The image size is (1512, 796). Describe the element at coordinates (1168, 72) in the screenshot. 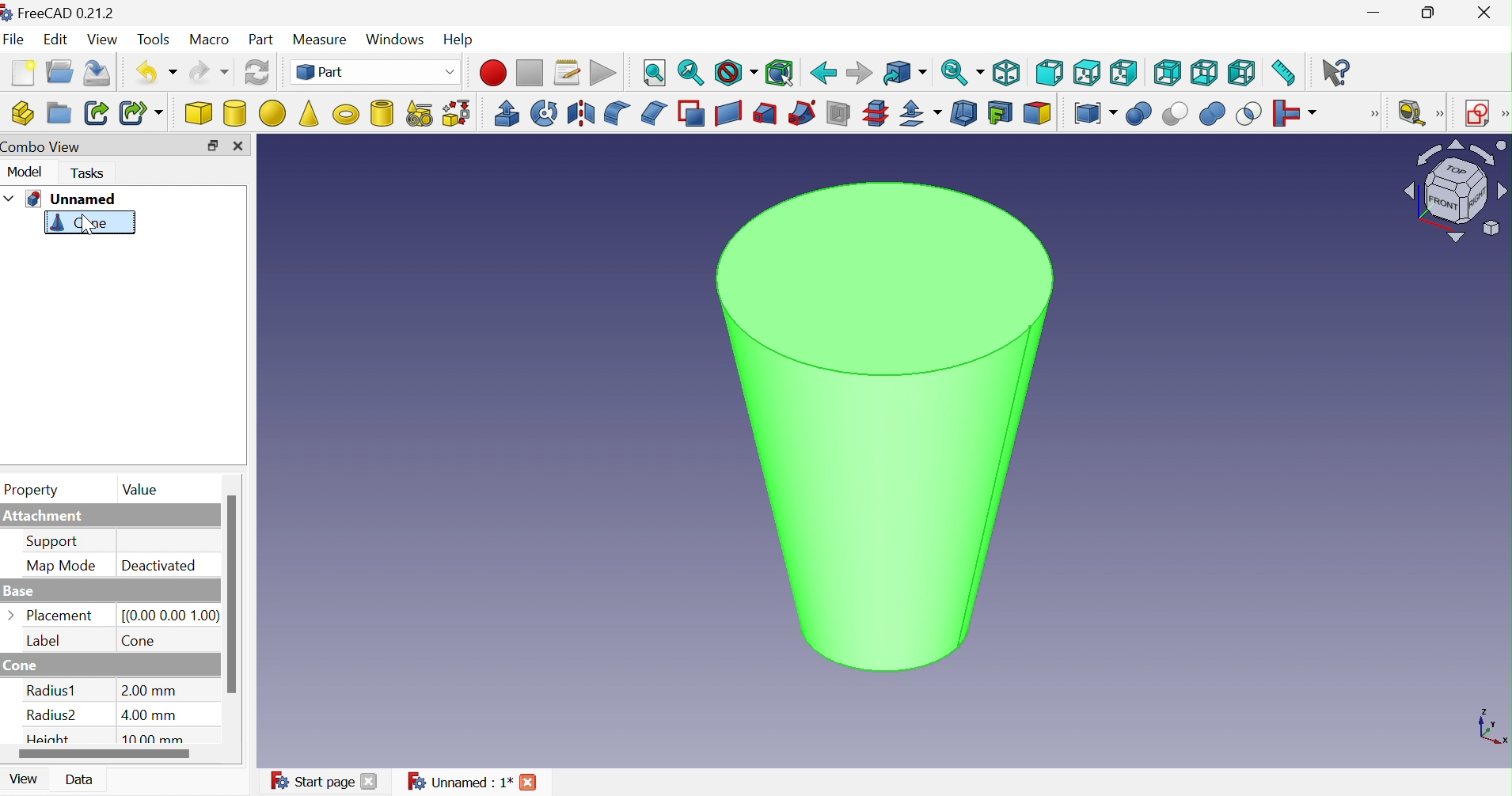

I see `Rear` at that location.